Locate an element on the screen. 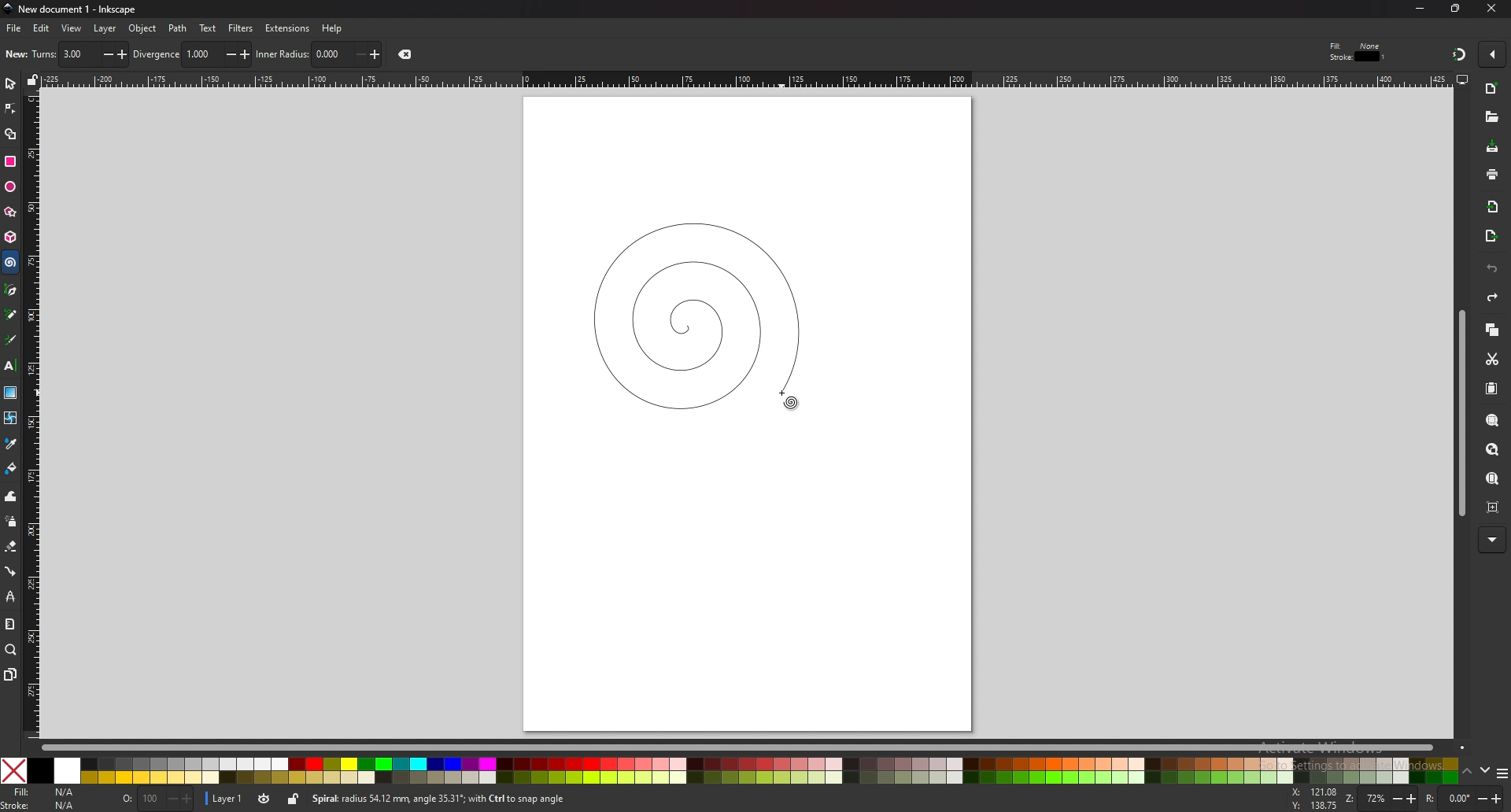 This screenshot has height=812, width=1511. calligraphy is located at coordinates (12, 339).